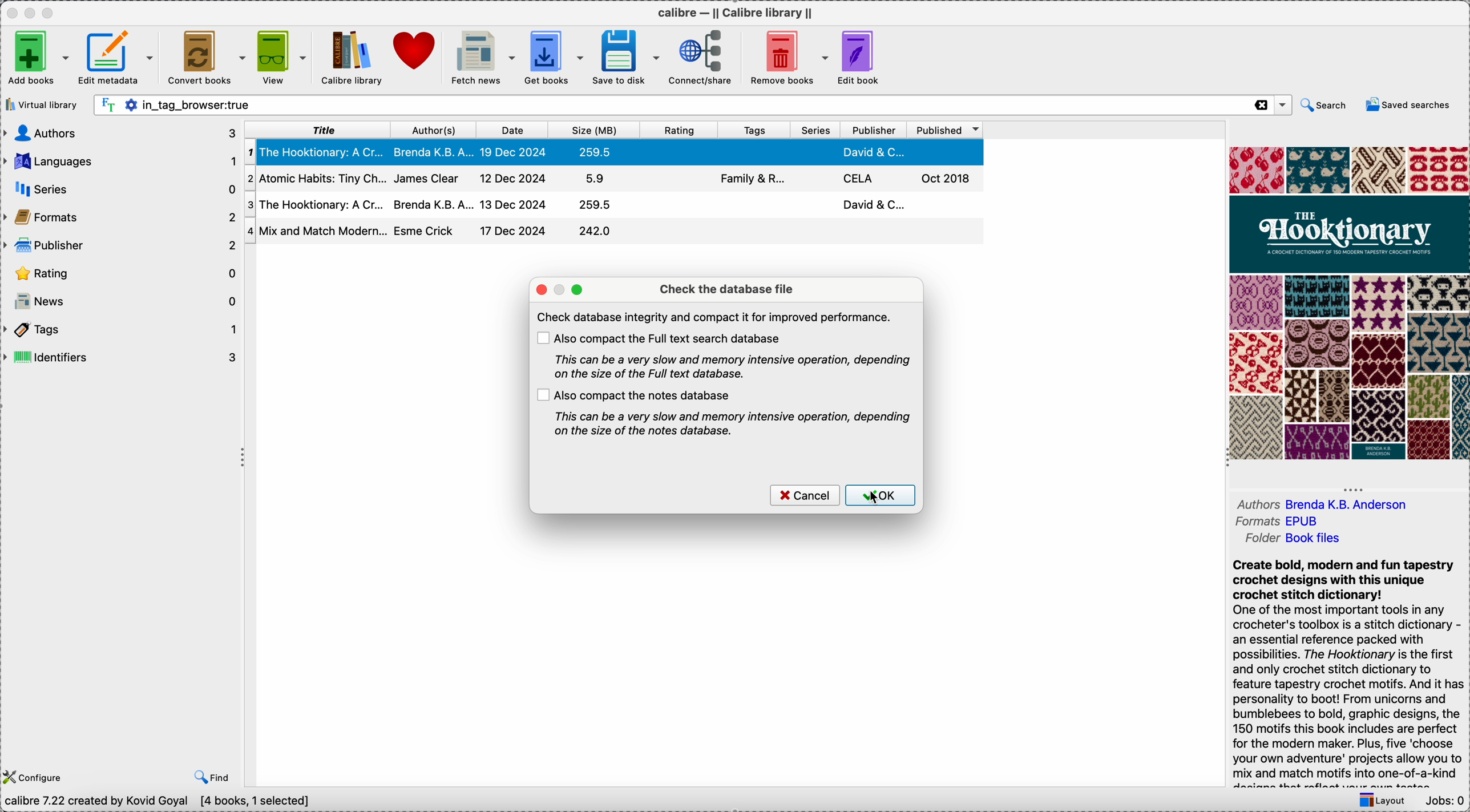 The width and height of the screenshot is (1470, 812). Describe the element at coordinates (120, 244) in the screenshot. I see `publisher` at that location.